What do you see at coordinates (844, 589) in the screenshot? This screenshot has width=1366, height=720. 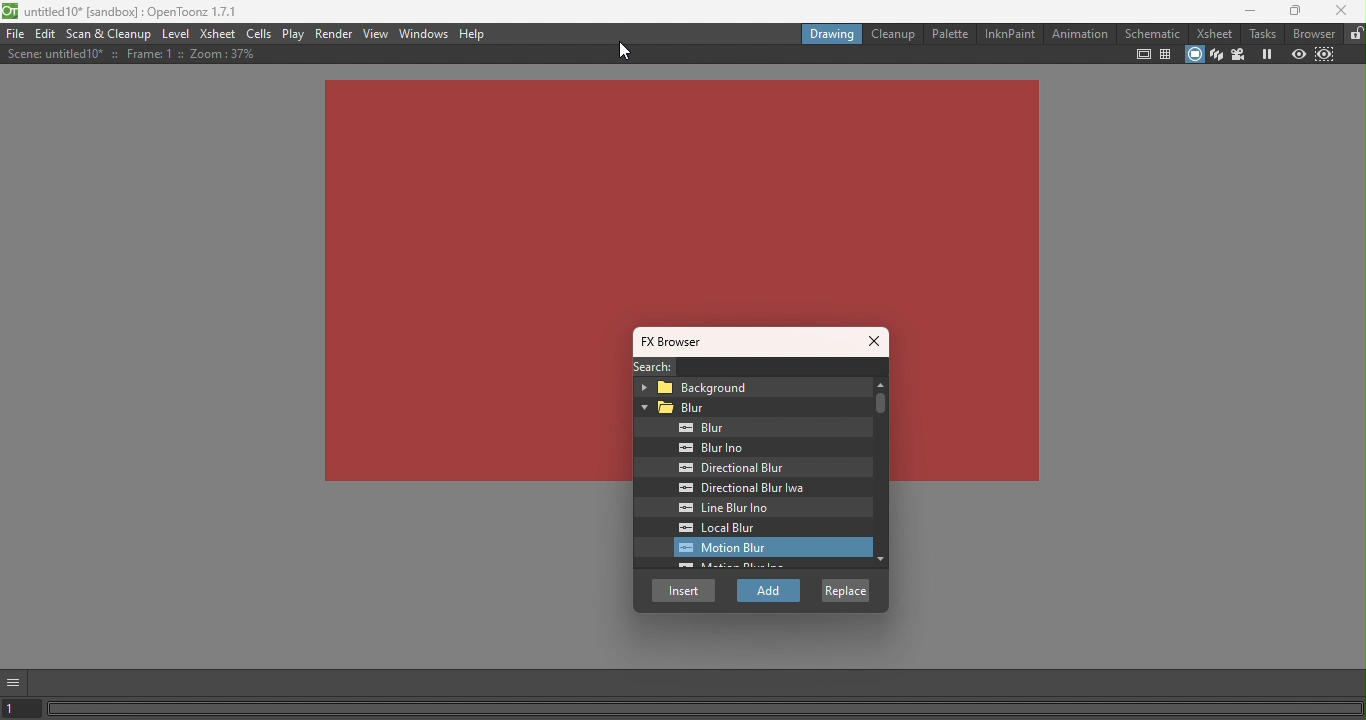 I see `Replace` at bounding box center [844, 589].